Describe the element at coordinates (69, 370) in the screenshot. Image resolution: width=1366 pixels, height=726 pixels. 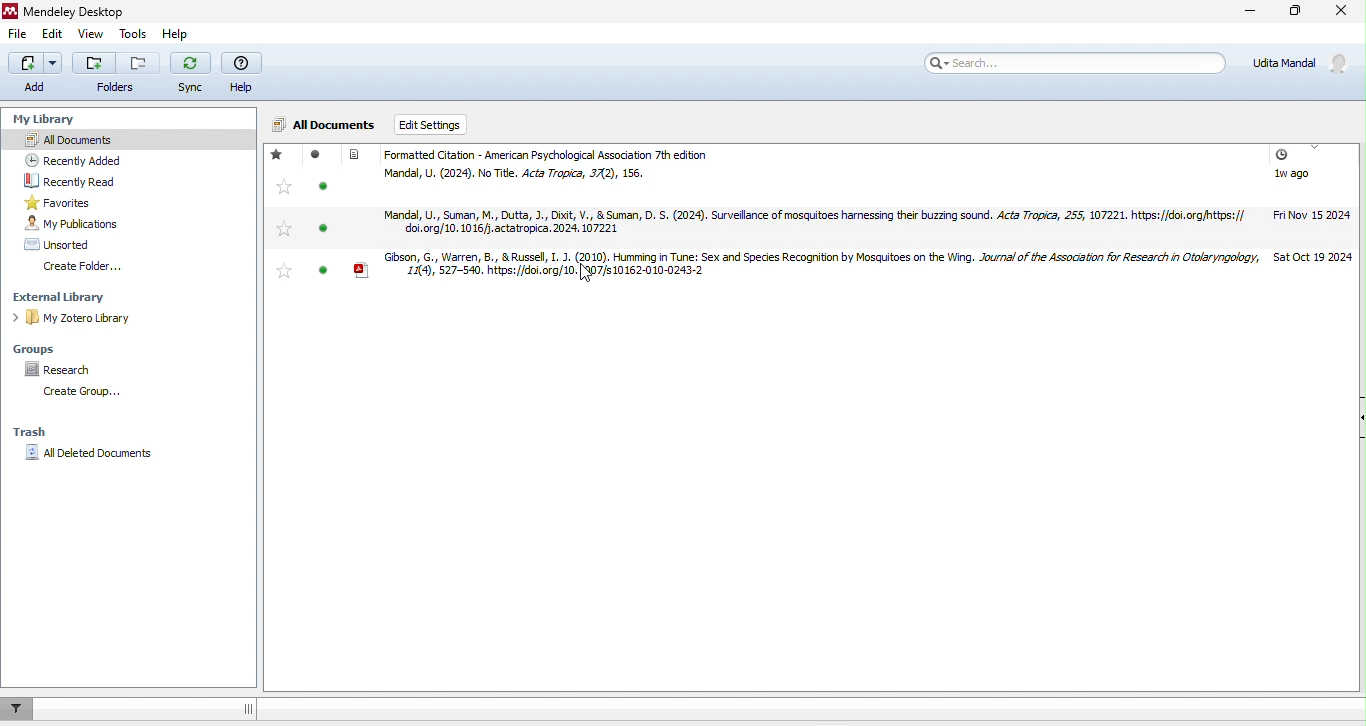
I see `research` at that location.